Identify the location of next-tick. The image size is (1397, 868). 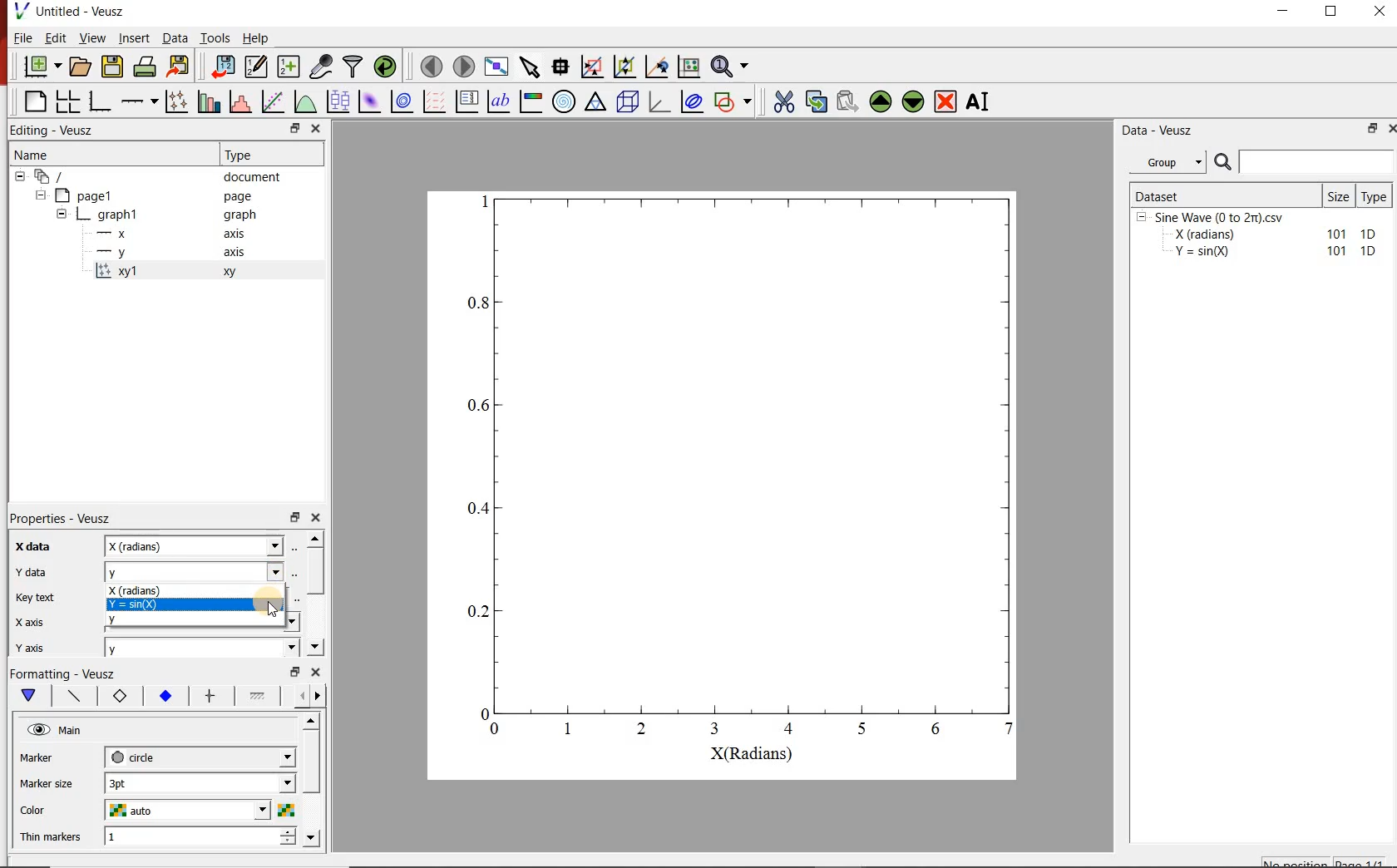
(200, 756).